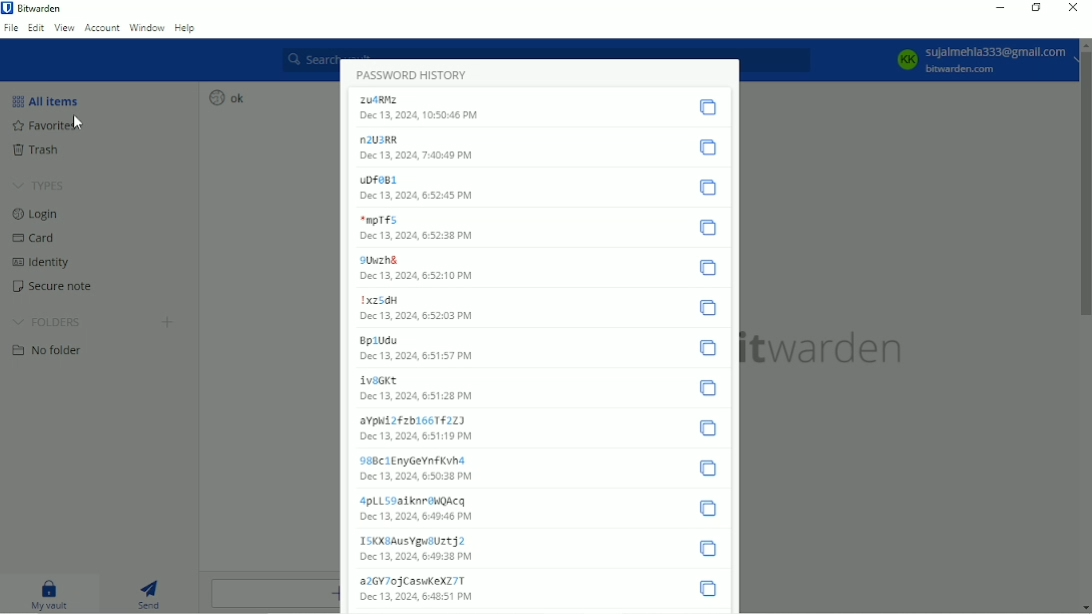 The height and width of the screenshot is (614, 1092). I want to click on View, so click(64, 27).